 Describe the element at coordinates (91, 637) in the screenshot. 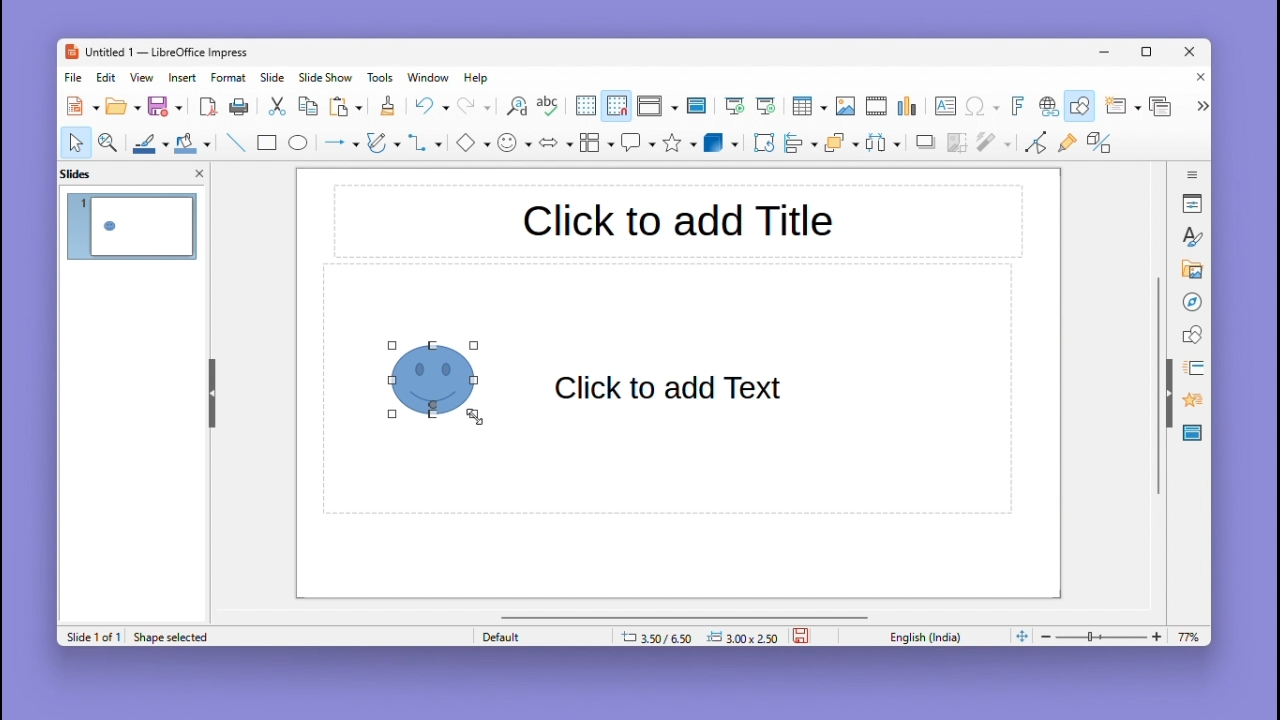

I see `Slide one of one` at that location.